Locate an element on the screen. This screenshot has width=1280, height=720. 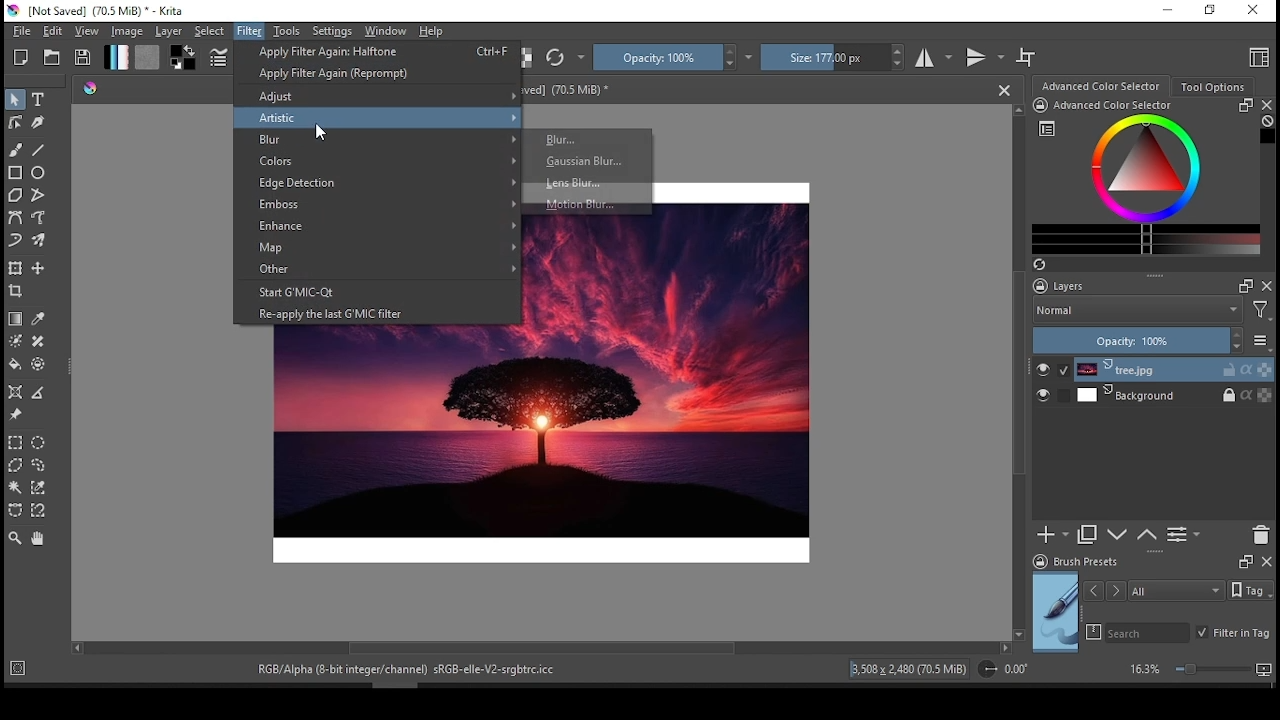
 ellipse selection tool is located at coordinates (38, 442).